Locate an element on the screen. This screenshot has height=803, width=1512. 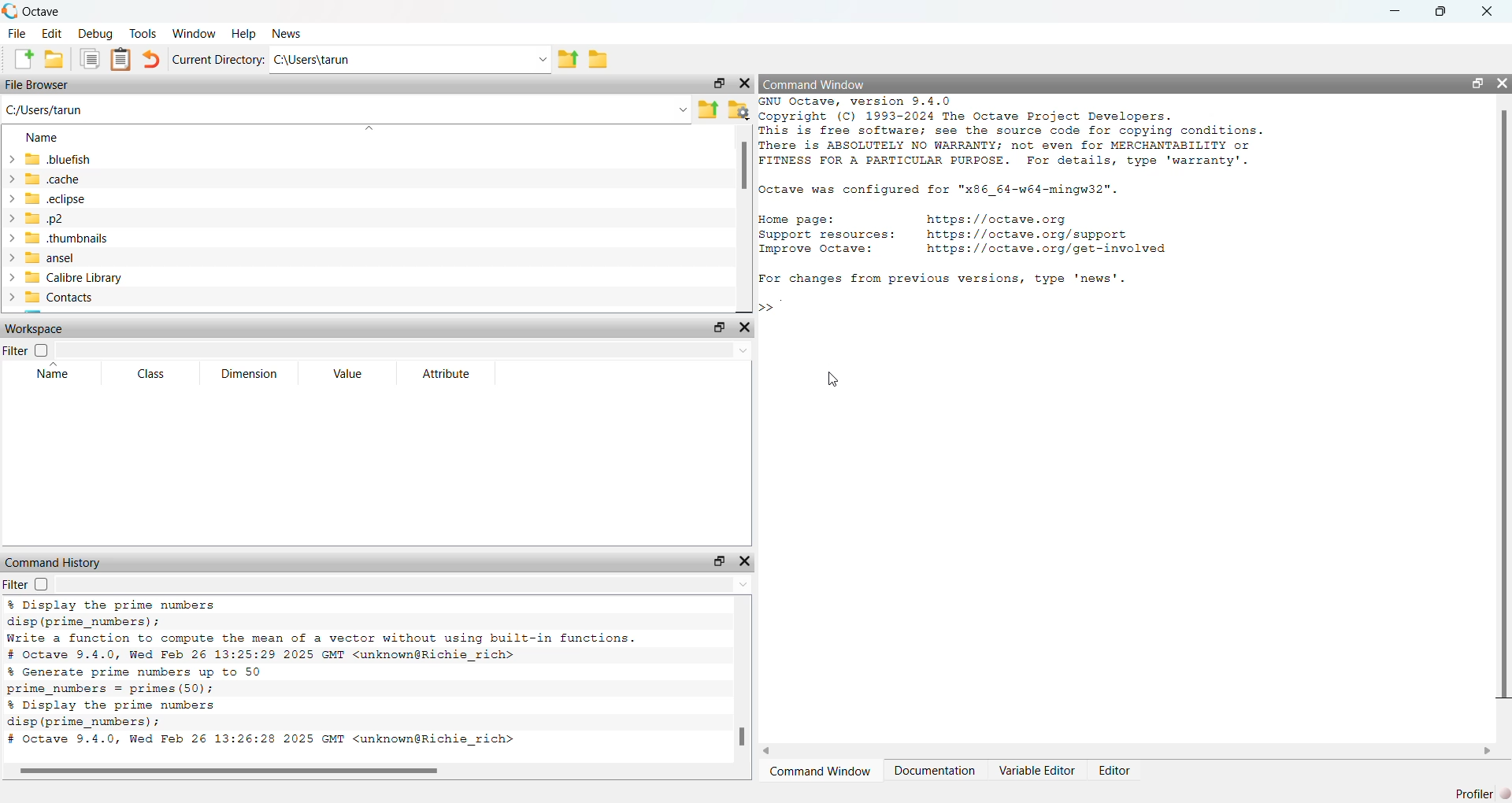
Drop-down  is located at coordinates (743, 586).